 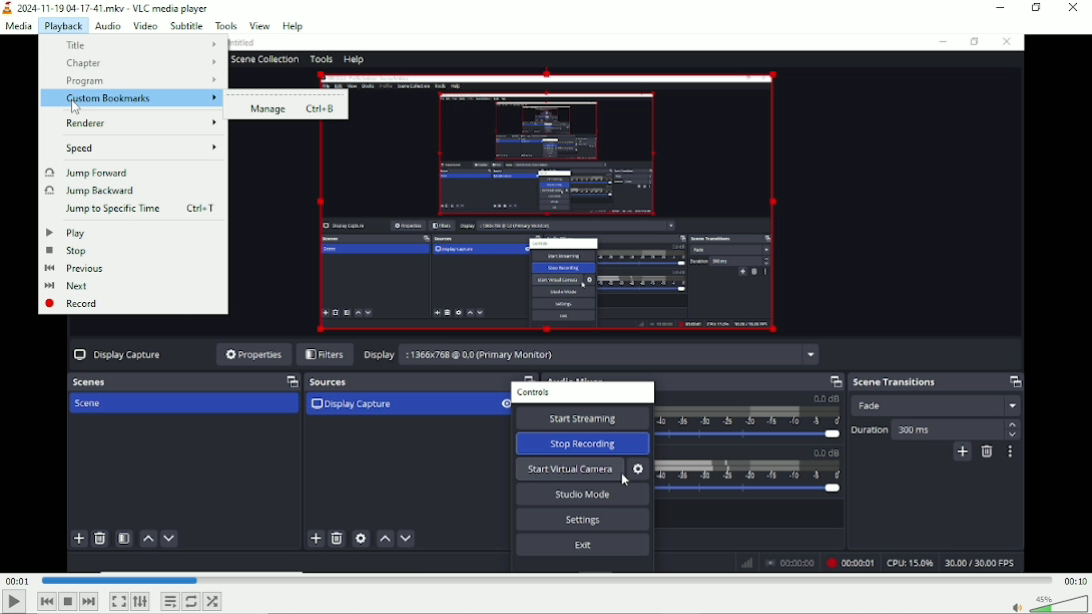 What do you see at coordinates (88, 191) in the screenshot?
I see `Jump backward` at bounding box center [88, 191].